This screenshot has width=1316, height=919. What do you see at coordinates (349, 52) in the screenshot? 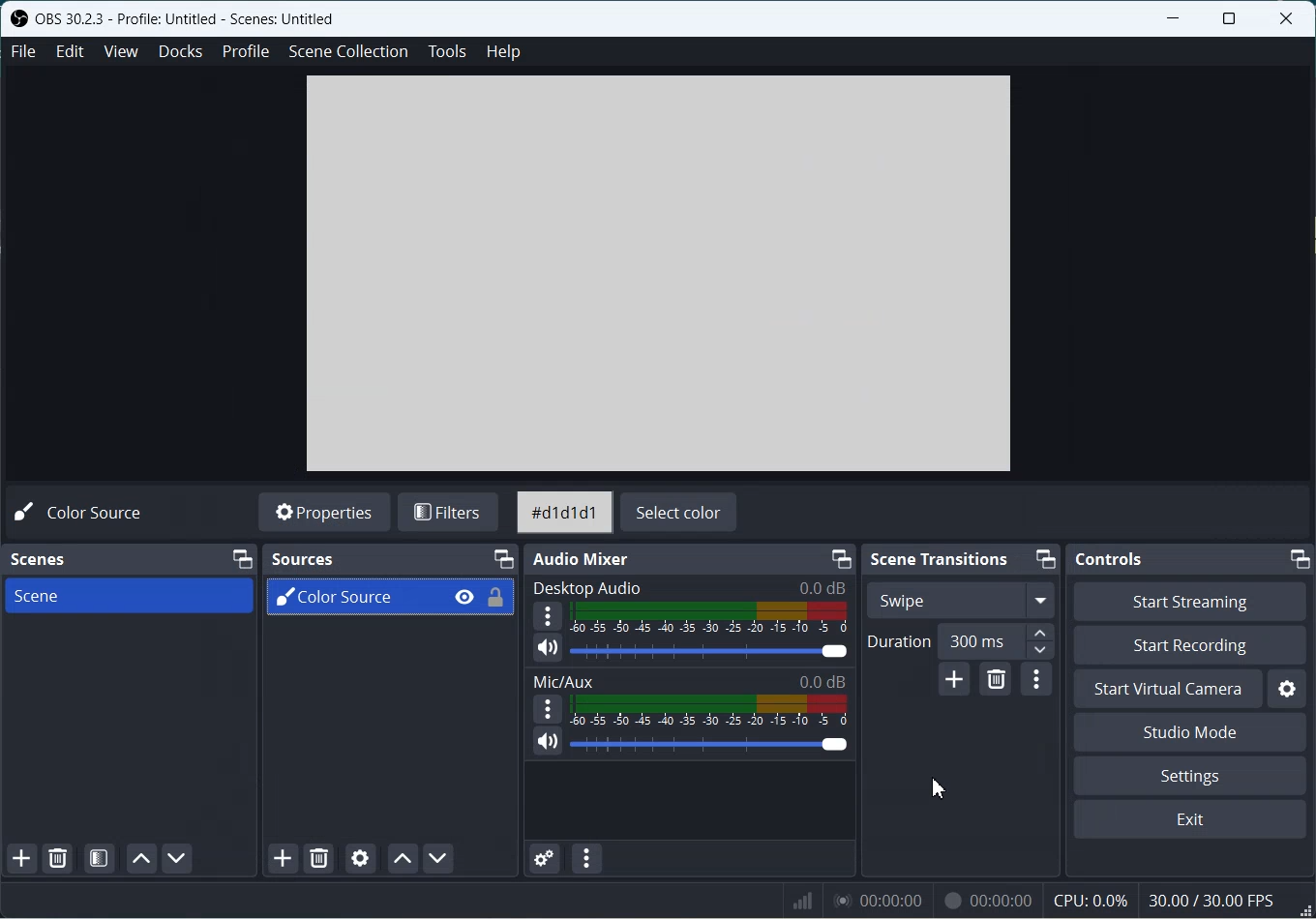
I see `Scene Collection` at bounding box center [349, 52].